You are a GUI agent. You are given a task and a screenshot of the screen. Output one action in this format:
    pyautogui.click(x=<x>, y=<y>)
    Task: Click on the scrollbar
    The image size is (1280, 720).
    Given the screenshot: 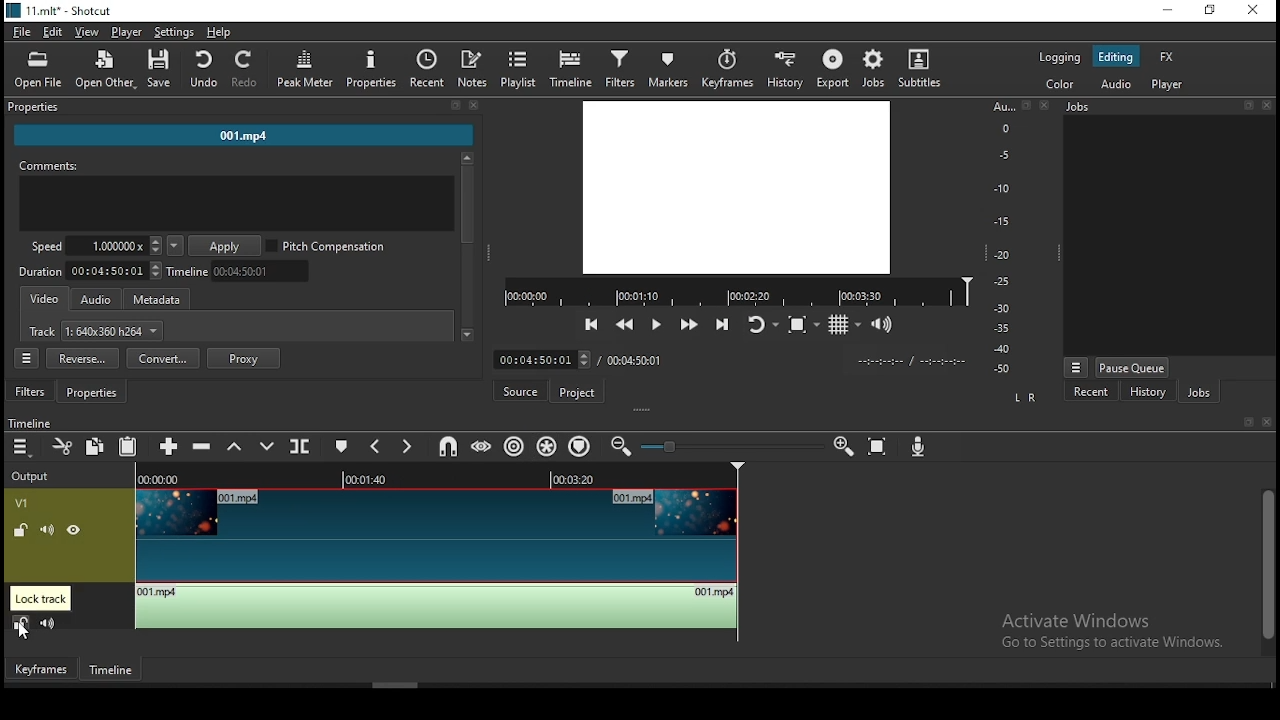 What is the action you would take?
    pyautogui.click(x=1266, y=567)
    